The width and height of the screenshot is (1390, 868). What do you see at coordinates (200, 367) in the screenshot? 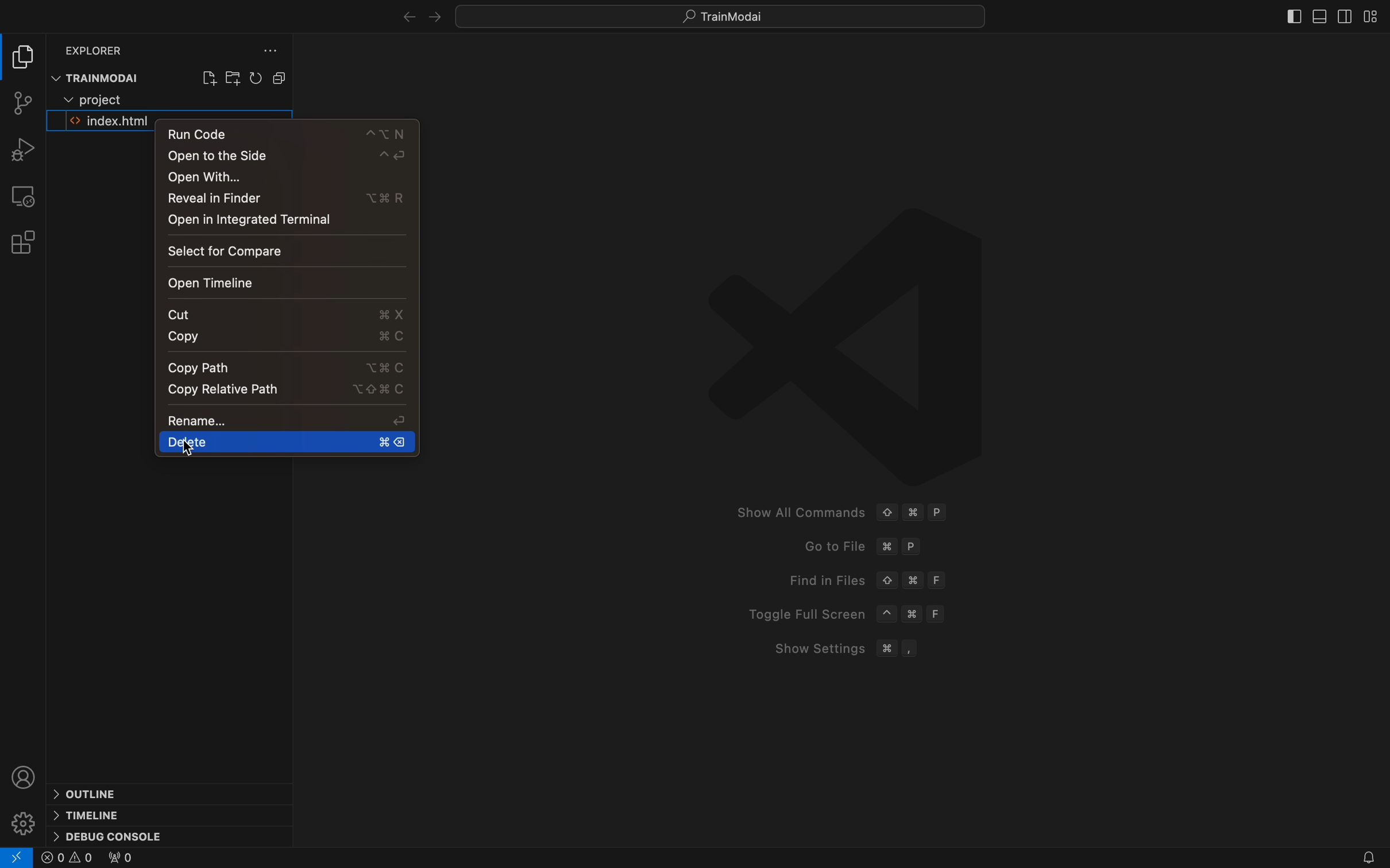
I see `copy path` at bounding box center [200, 367].